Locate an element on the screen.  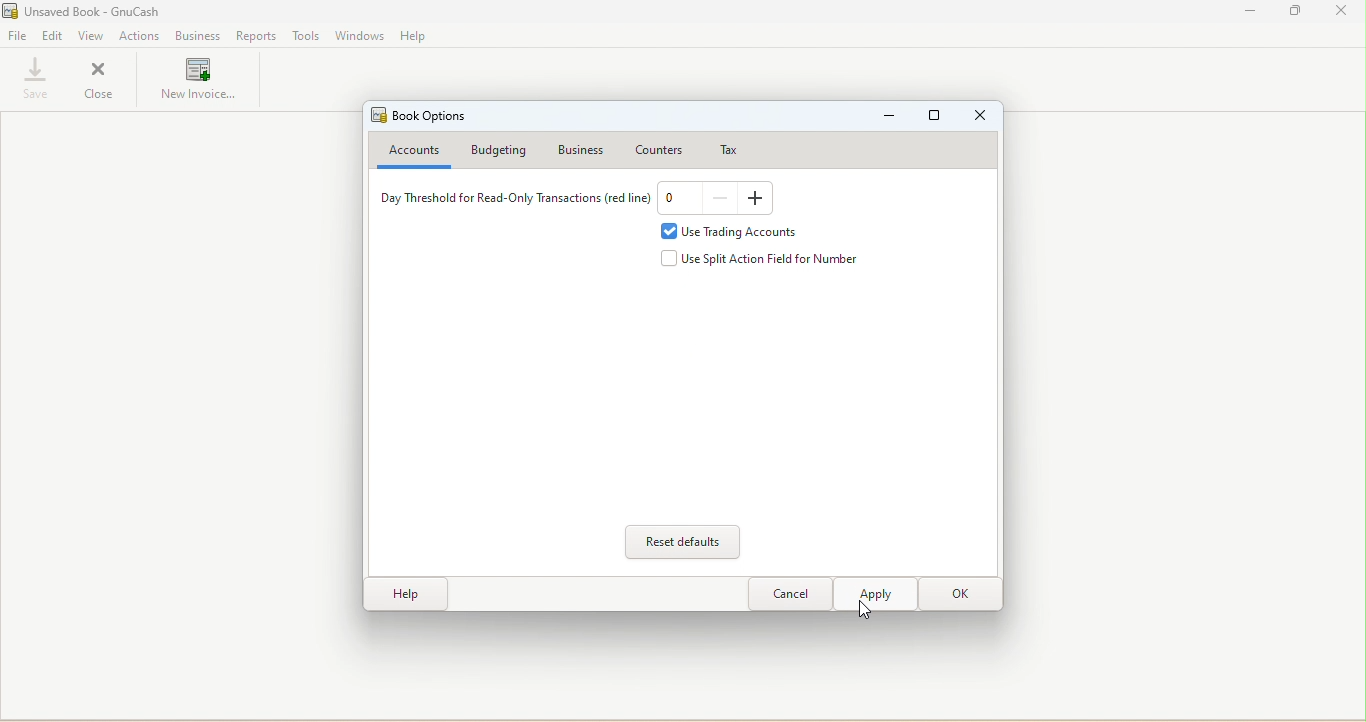
Reset defaults is located at coordinates (686, 542).